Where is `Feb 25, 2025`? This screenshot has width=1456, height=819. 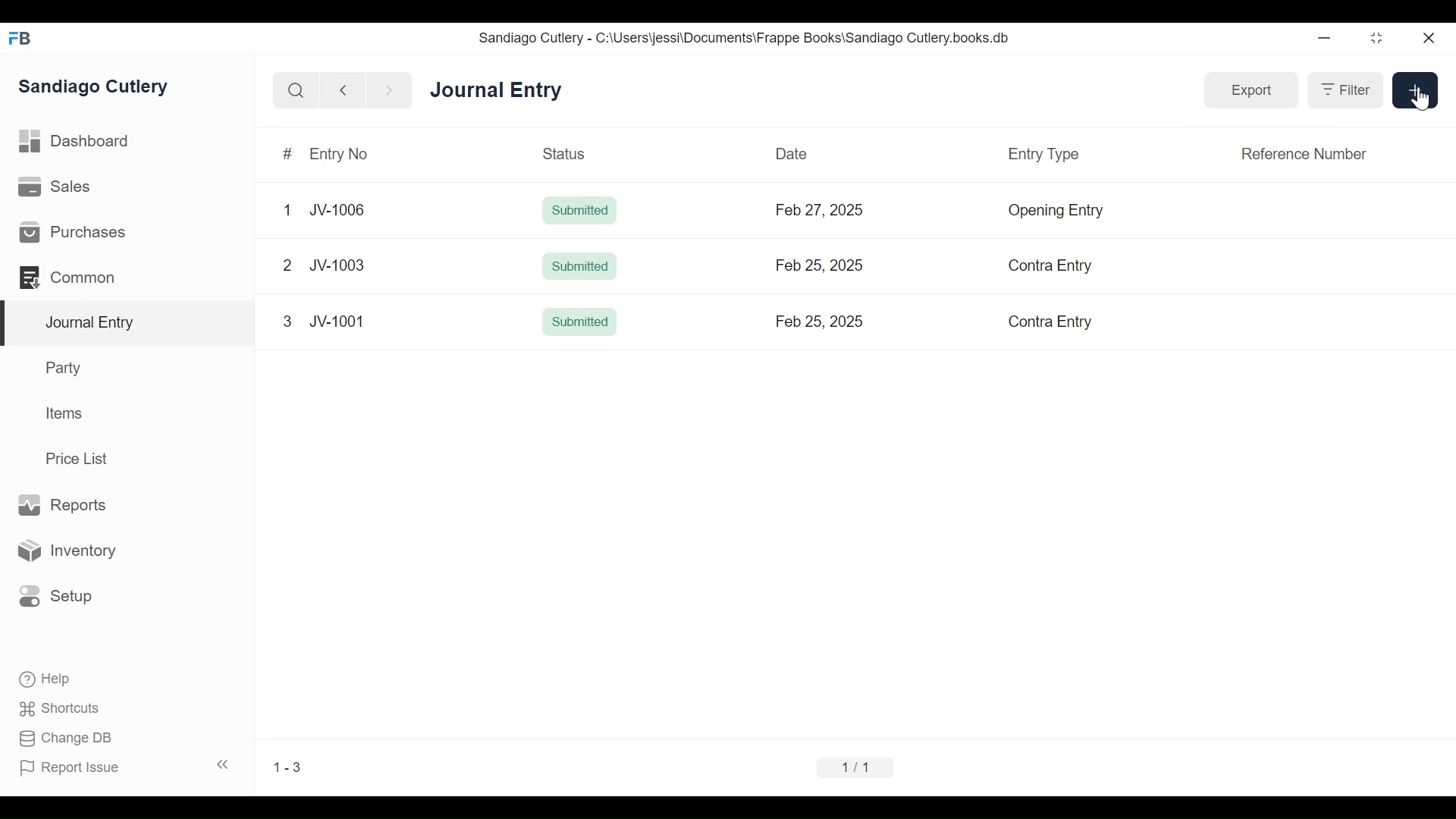 Feb 25, 2025 is located at coordinates (817, 265).